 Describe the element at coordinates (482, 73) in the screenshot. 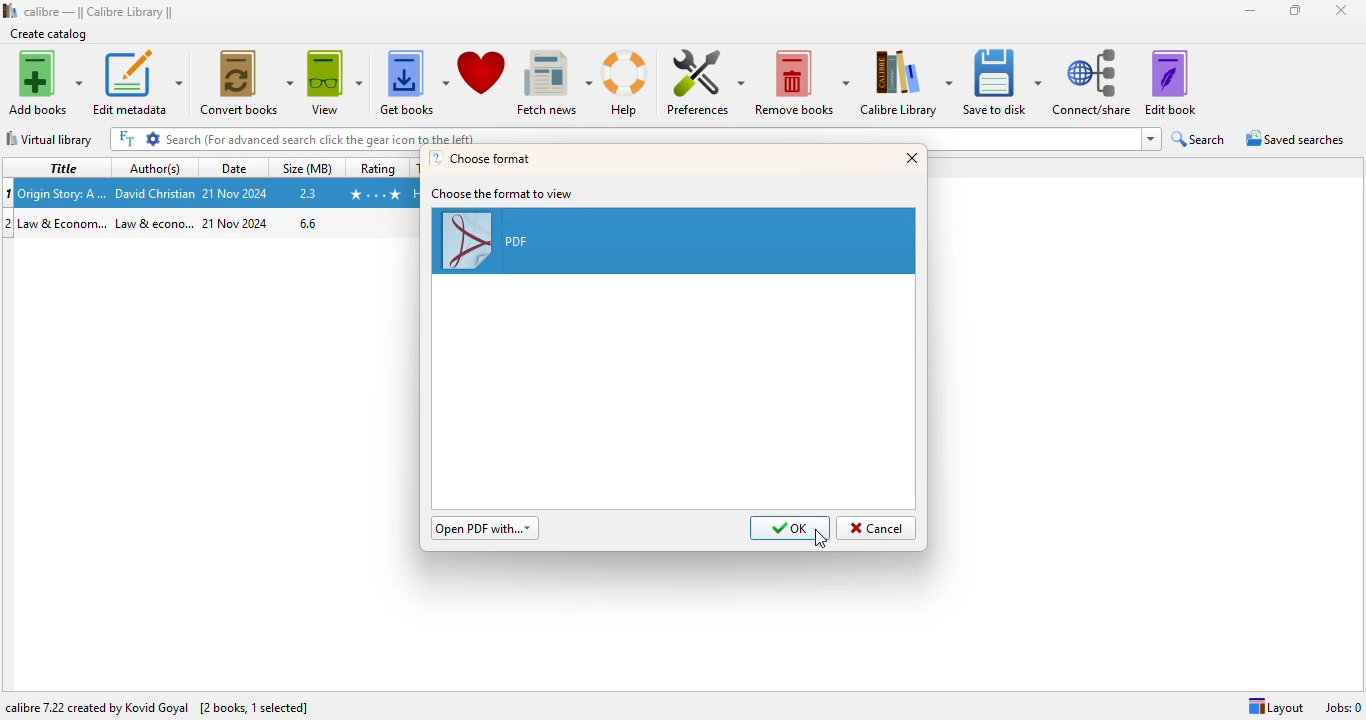

I see `donate to support calibre` at that location.